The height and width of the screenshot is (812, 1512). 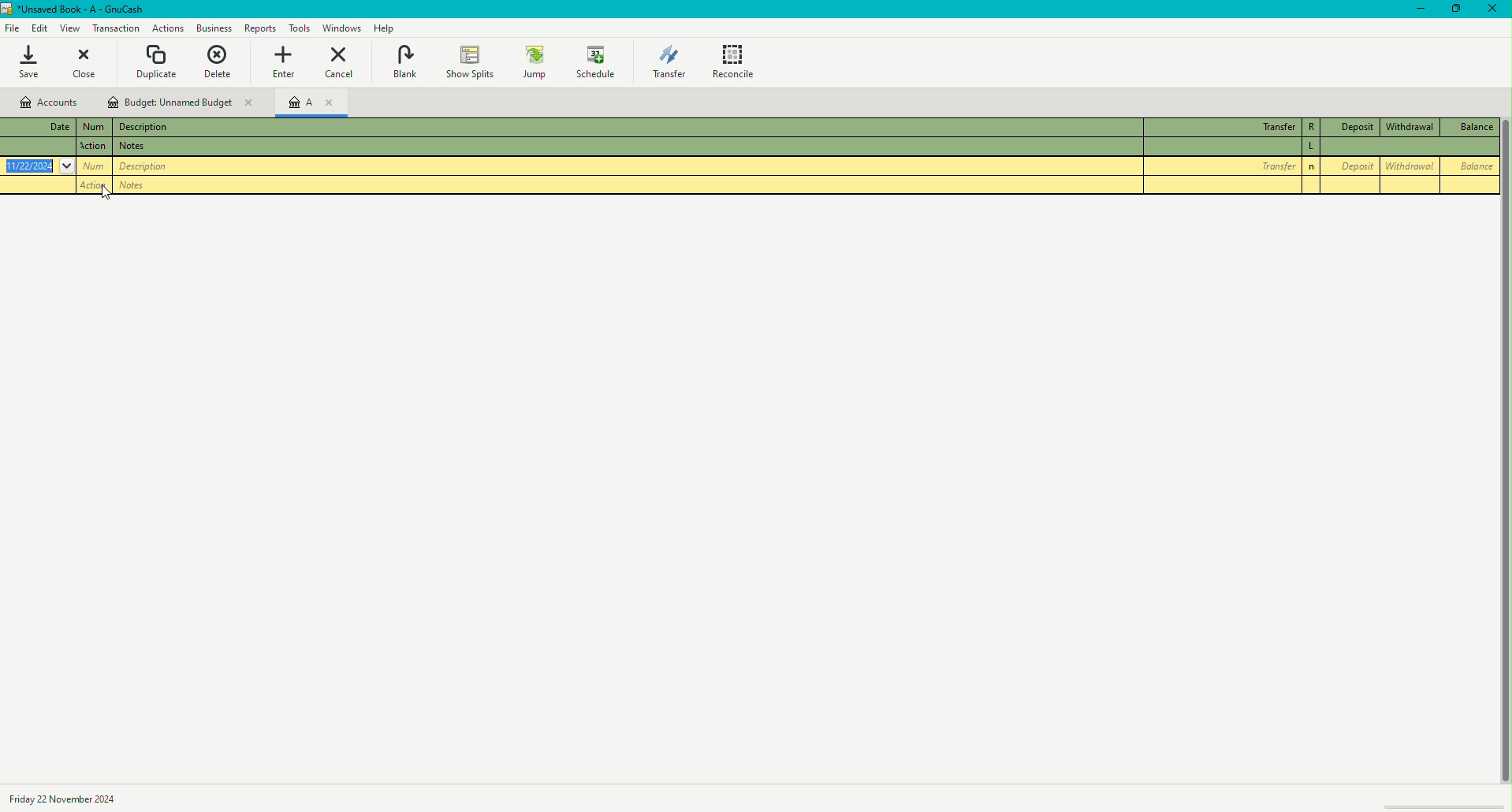 What do you see at coordinates (1352, 166) in the screenshot?
I see `Deposit` at bounding box center [1352, 166].